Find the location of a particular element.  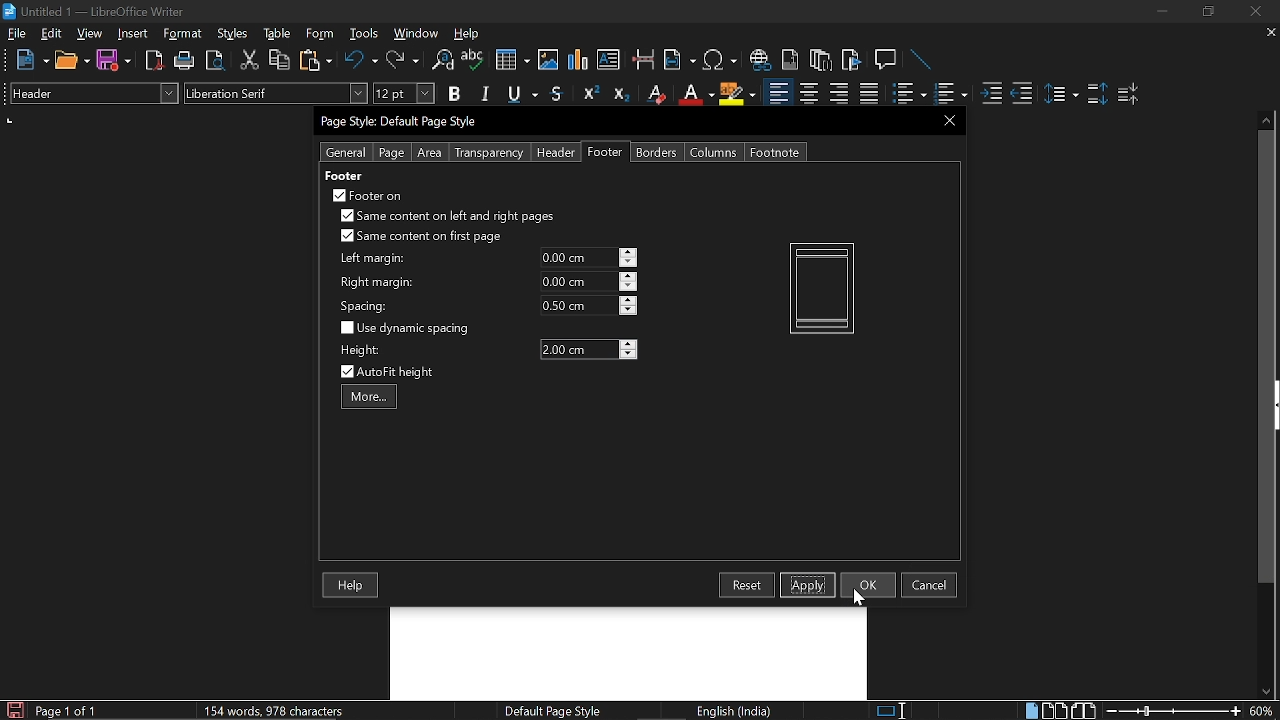

units is located at coordinates (11, 121).